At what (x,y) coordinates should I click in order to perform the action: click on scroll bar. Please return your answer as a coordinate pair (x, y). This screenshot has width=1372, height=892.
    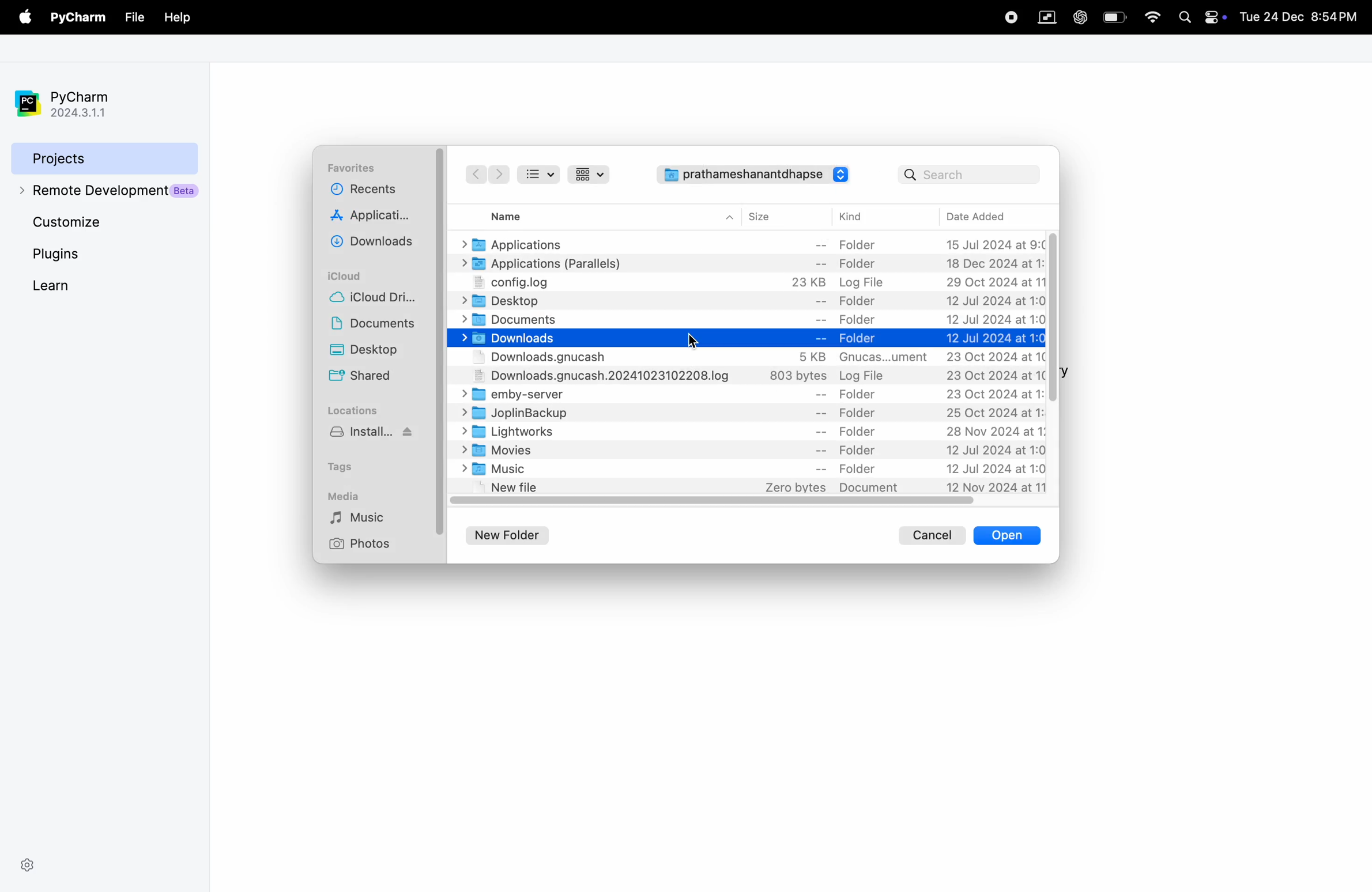
    Looking at the image, I should click on (716, 502).